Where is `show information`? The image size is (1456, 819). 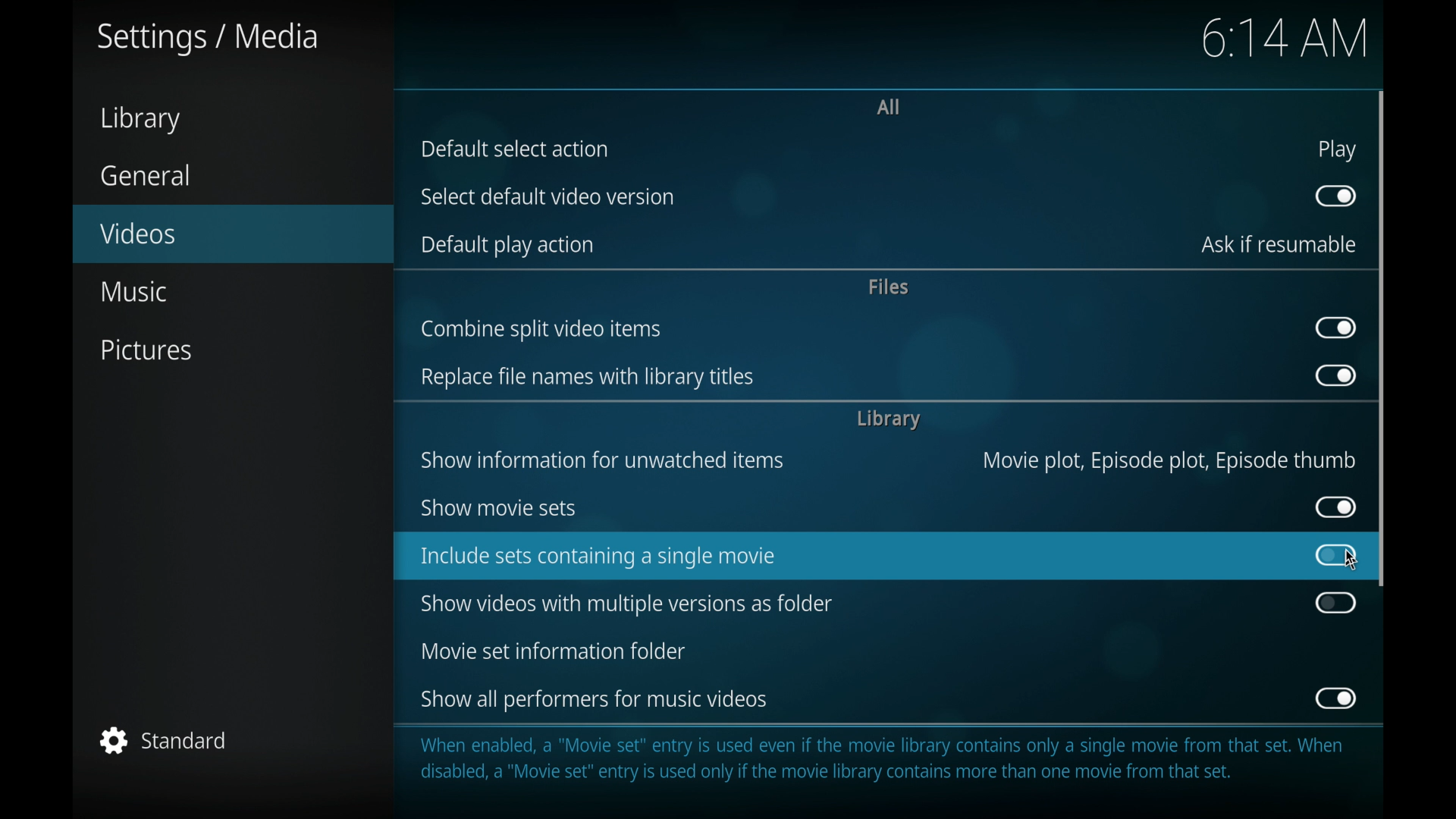
show information is located at coordinates (602, 460).